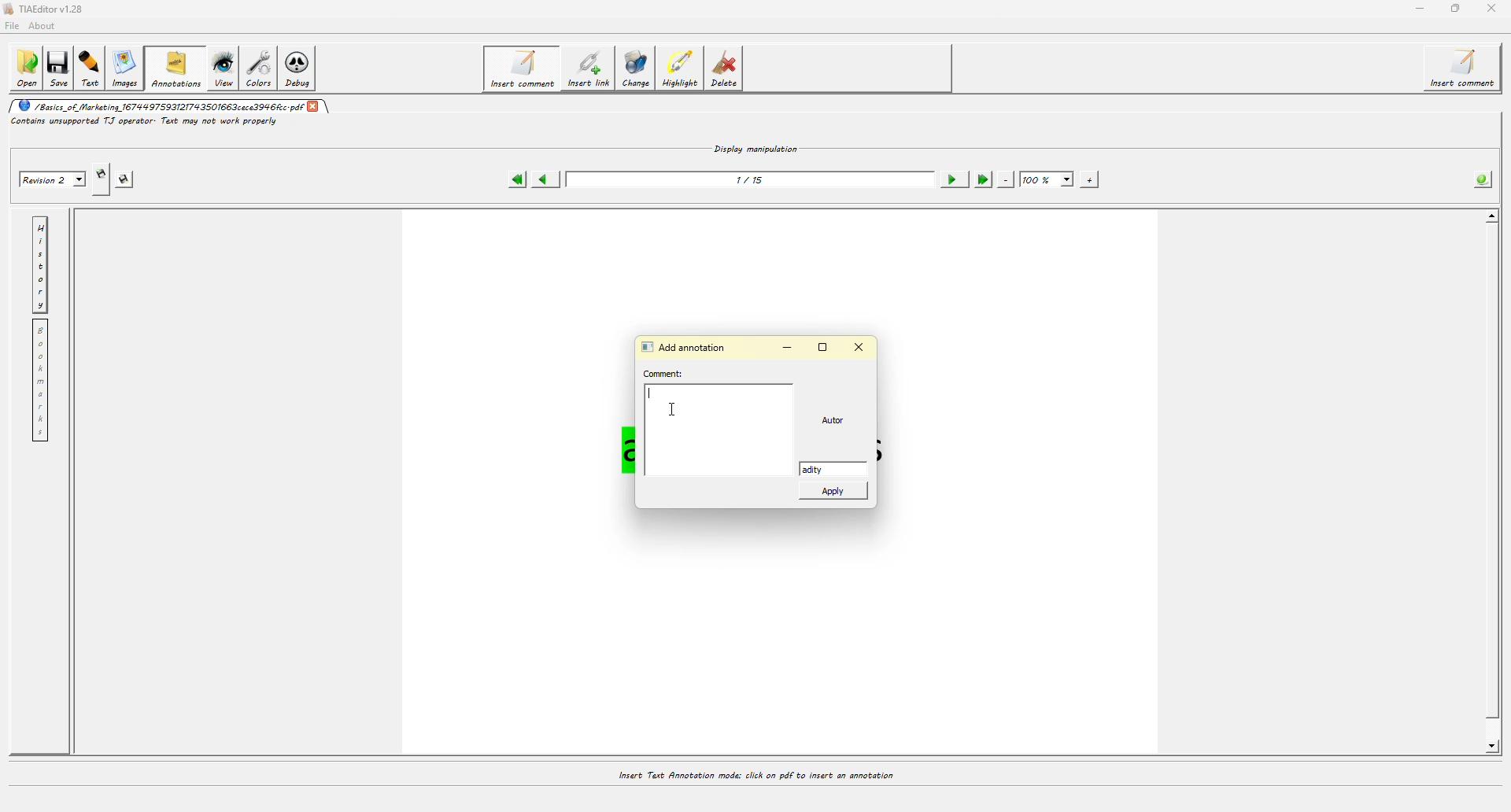 The image size is (1511, 812). Describe the element at coordinates (50, 178) in the screenshot. I see `Revision 2` at that location.